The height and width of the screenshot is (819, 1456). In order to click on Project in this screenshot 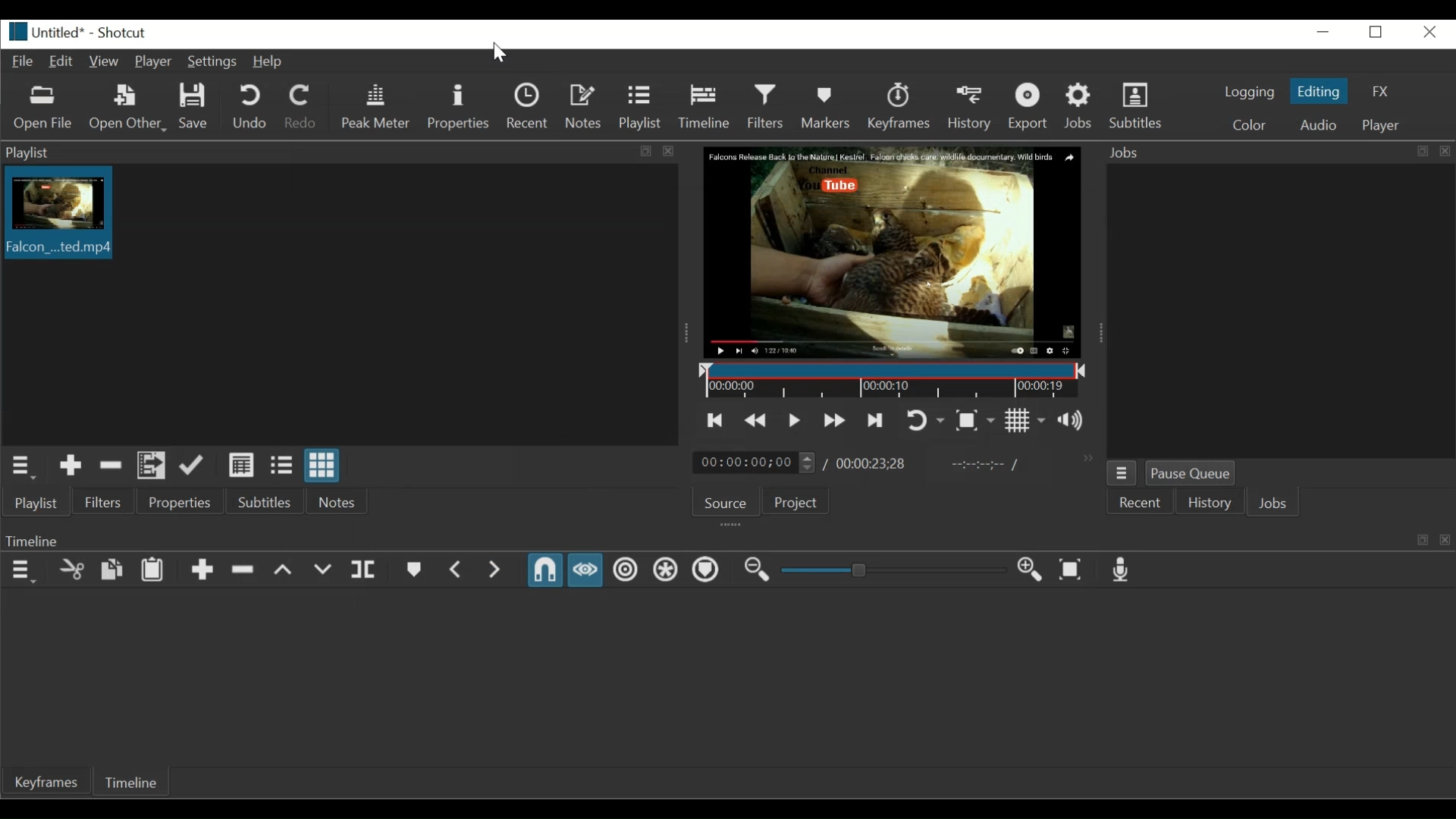, I will do `click(794, 500)`.